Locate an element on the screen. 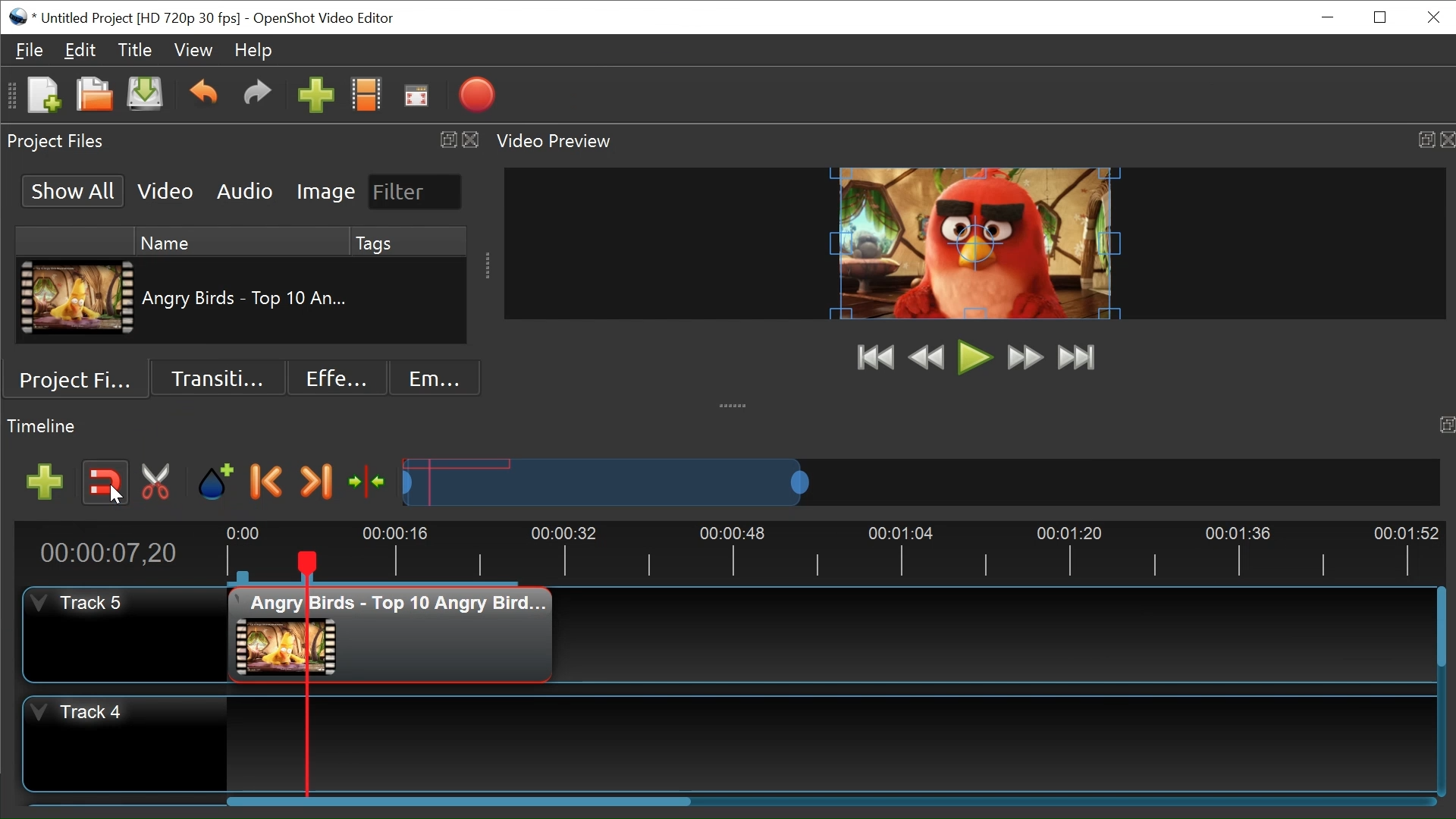 This screenshot has width=1456, height=819. Export Video is located at coordinates (479, 95).